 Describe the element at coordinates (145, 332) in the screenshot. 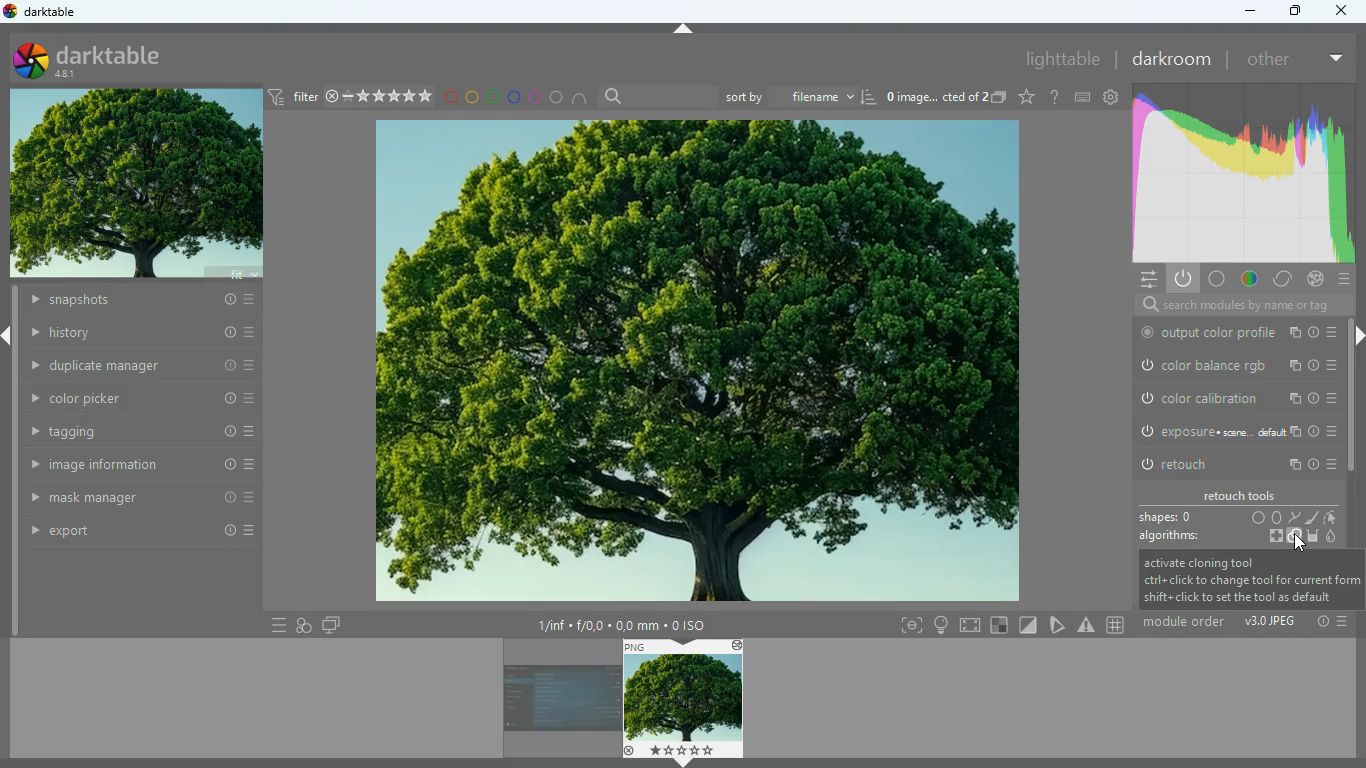

I see `history` at that location.